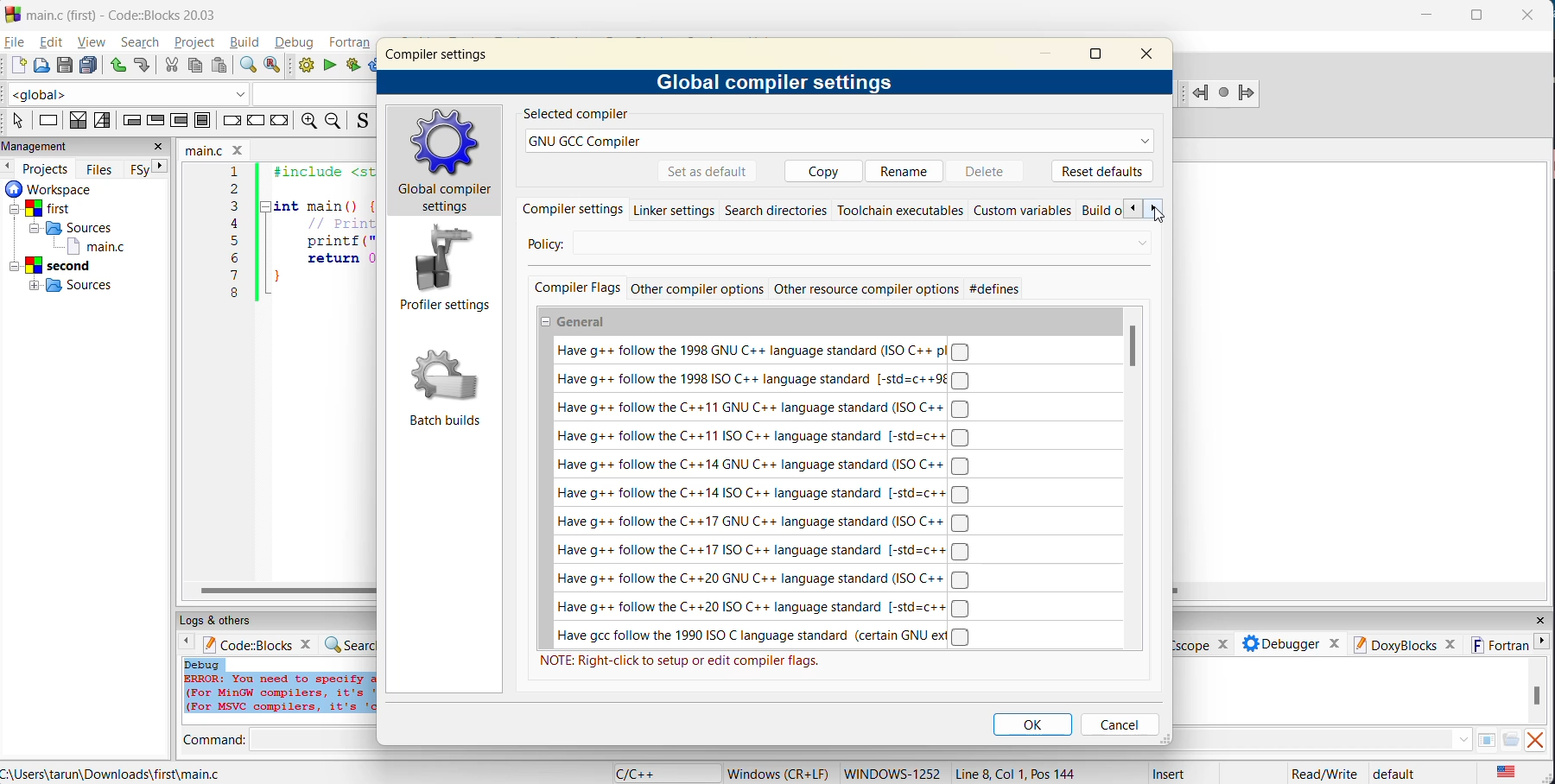 This screenshot has height=784, width=1555. What do you see at coordinates (195, 44) in the screenshot?
I see `project` at bounding box center [195, 44].